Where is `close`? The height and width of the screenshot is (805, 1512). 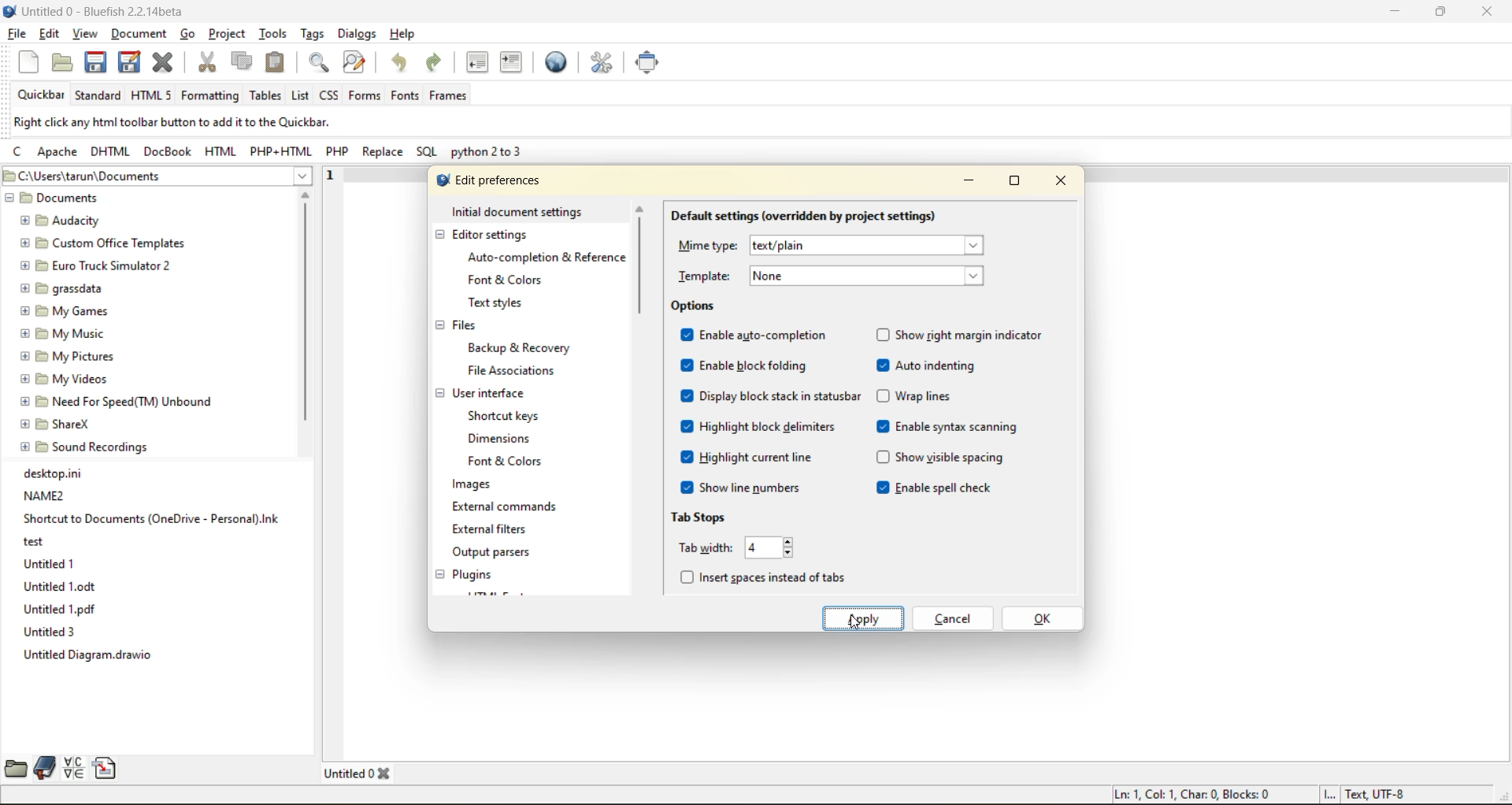 close is located at coordinates (1486, 12).